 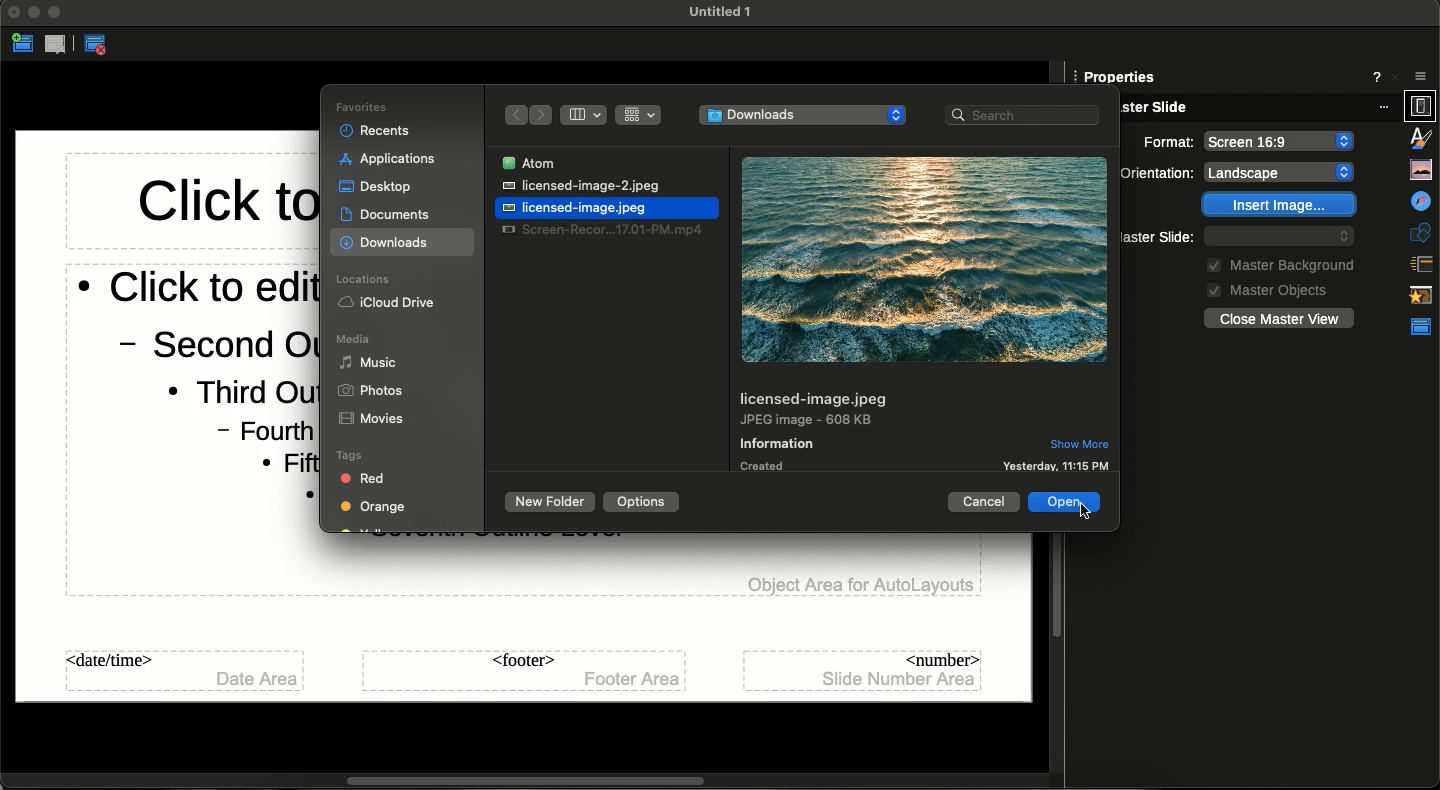 I want to click on Shapes, so click(x=1421, y=198).